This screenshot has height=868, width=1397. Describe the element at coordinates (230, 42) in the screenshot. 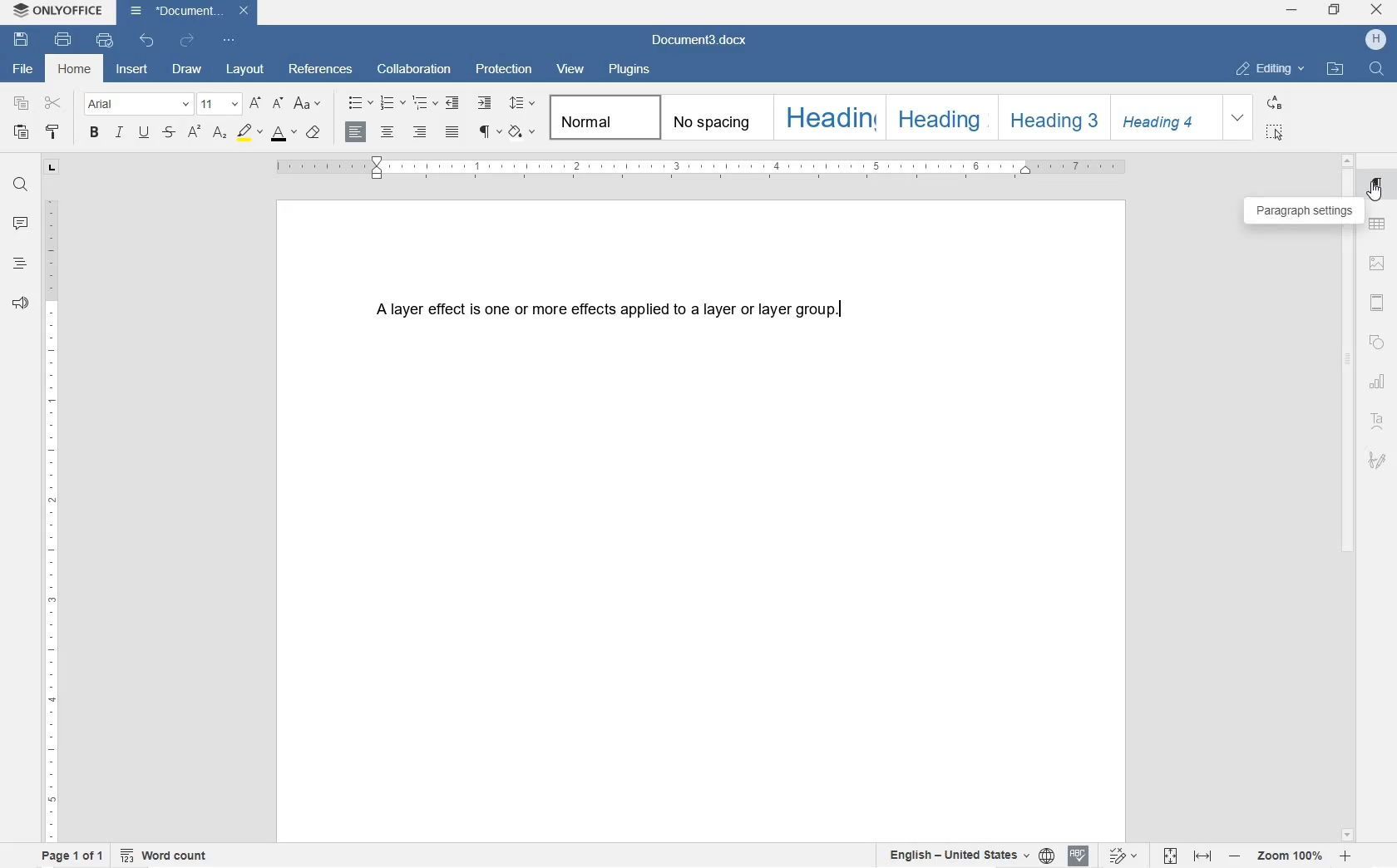

I see `CUSTOMIZE QUICK ACCESS TOOLBAR` at that location.